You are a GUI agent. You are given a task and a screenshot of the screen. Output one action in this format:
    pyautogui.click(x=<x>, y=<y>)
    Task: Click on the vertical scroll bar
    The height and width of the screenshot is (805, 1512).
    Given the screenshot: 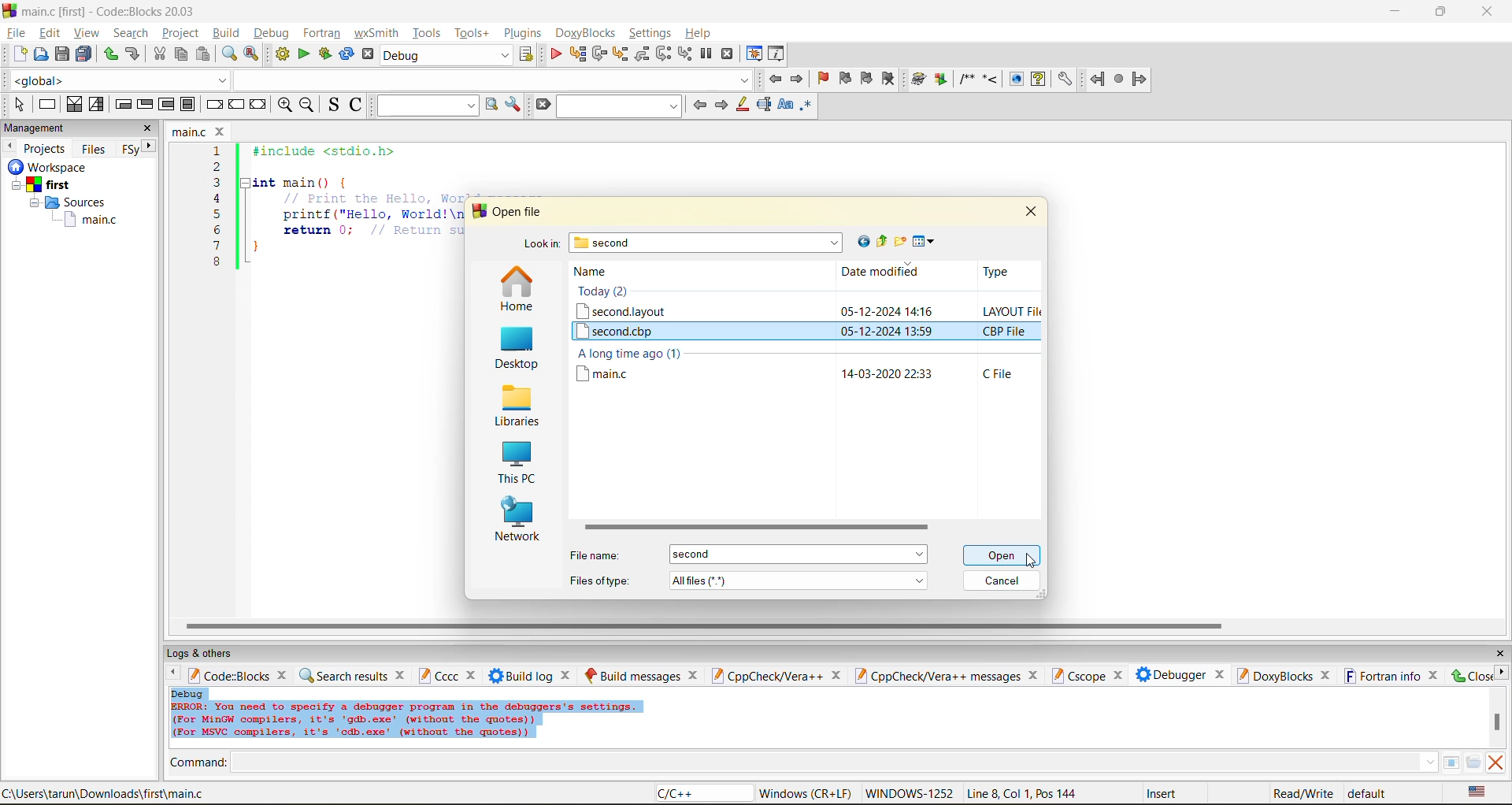 What is the action you would take?
    pyautogui.click(x=1496, y=722)
    